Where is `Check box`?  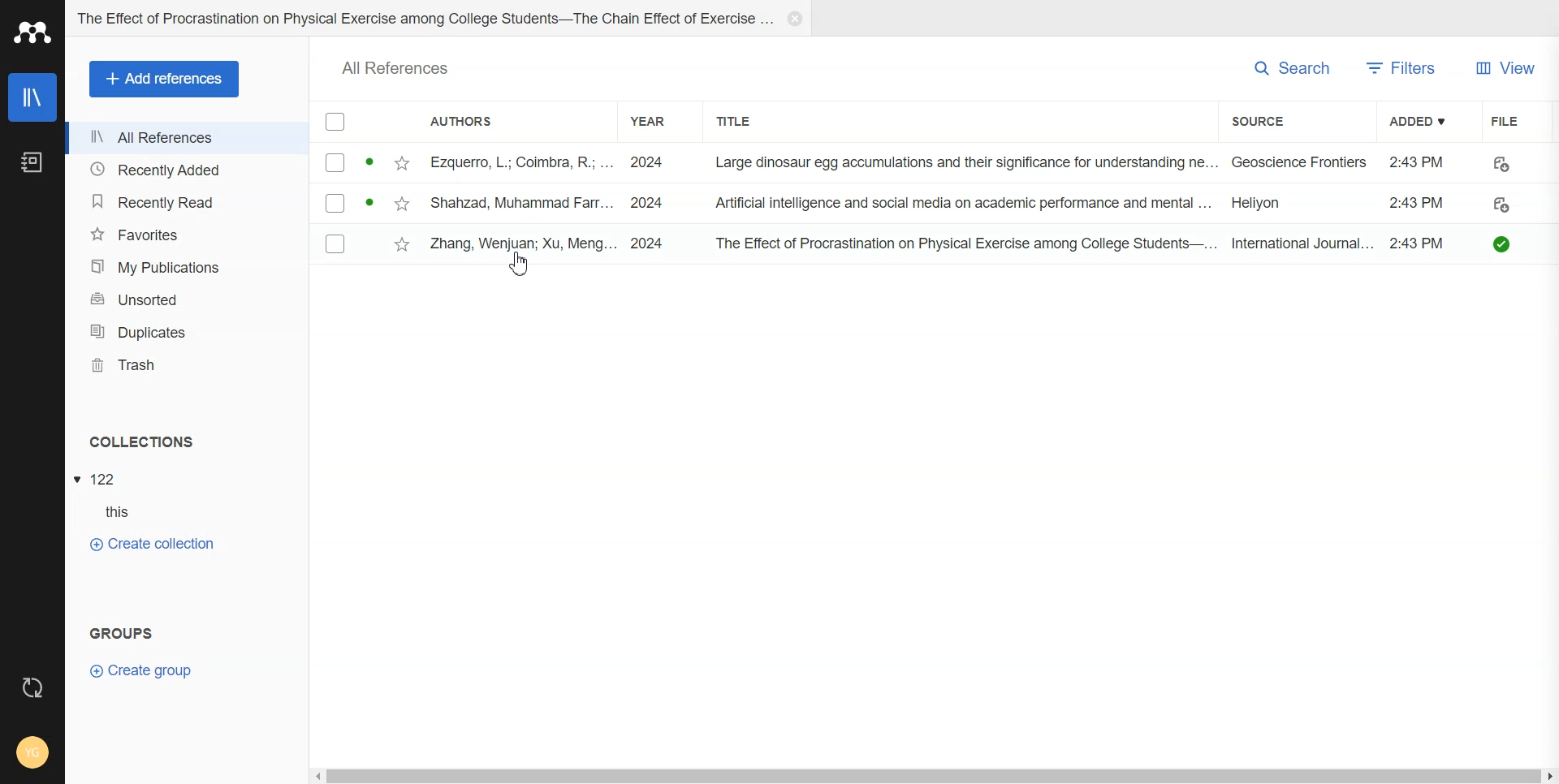 Check box is located at coordinates (335, 123).